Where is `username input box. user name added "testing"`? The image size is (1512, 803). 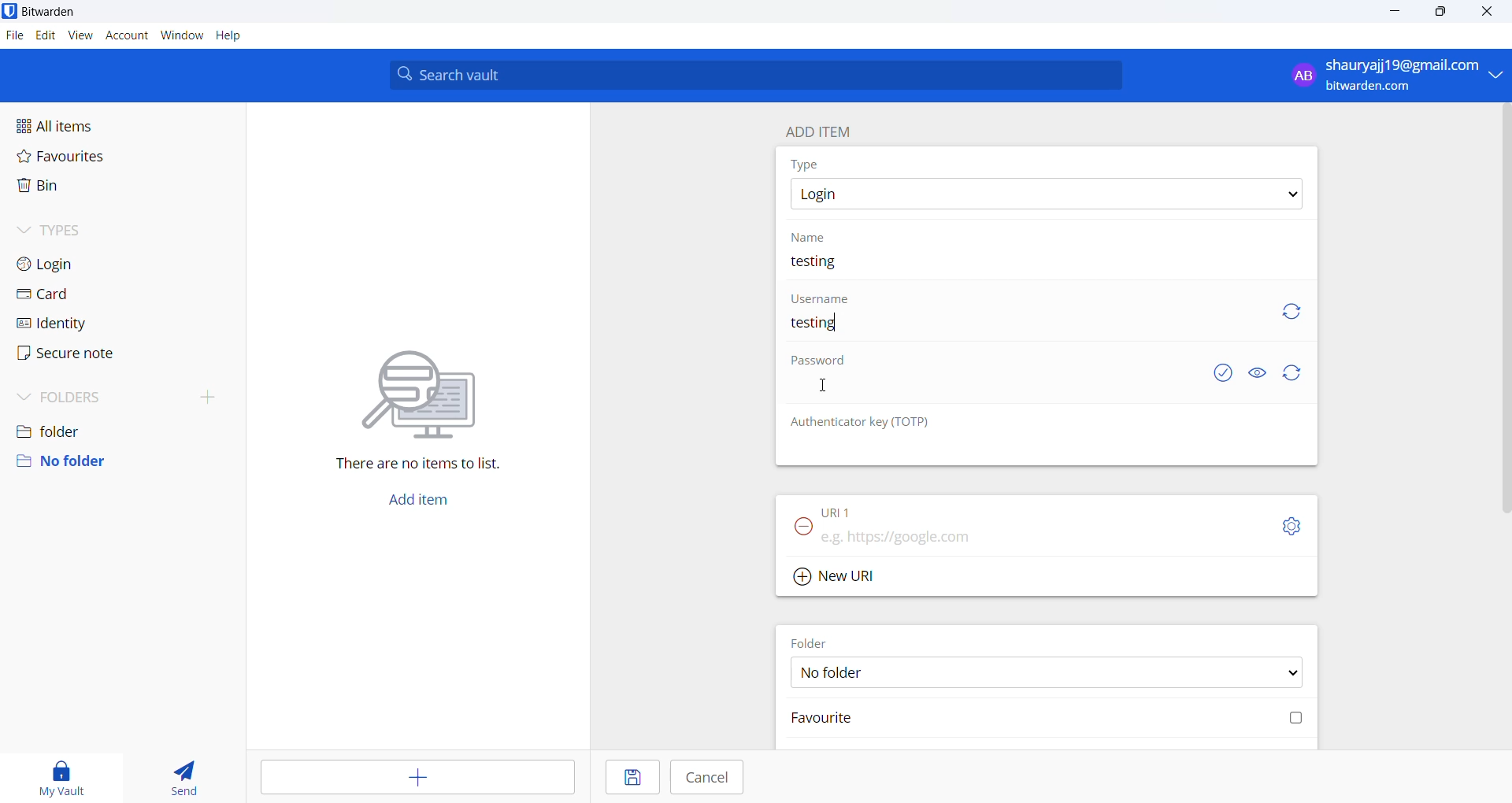
username input box. user name added "testing" is located at coordinates (1015, 325).